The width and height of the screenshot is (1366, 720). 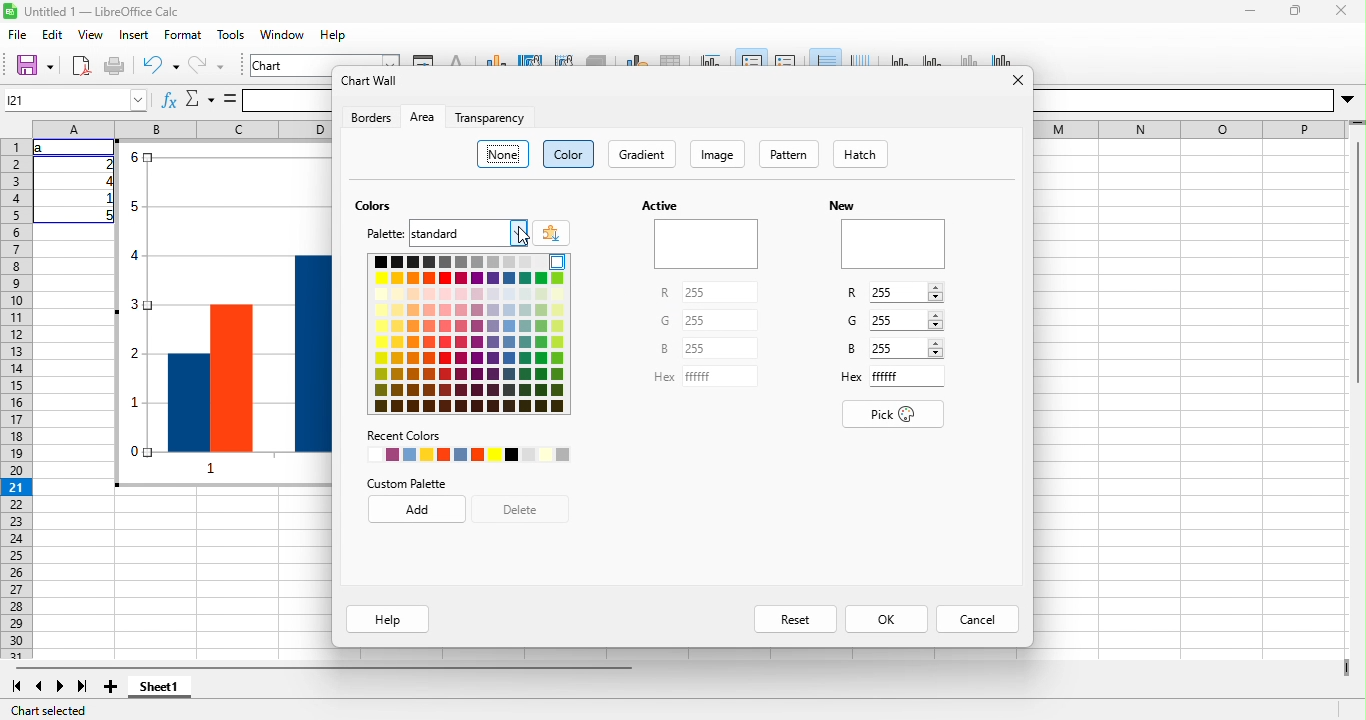 I want to click on 3d view, so click(x=596, y=59).